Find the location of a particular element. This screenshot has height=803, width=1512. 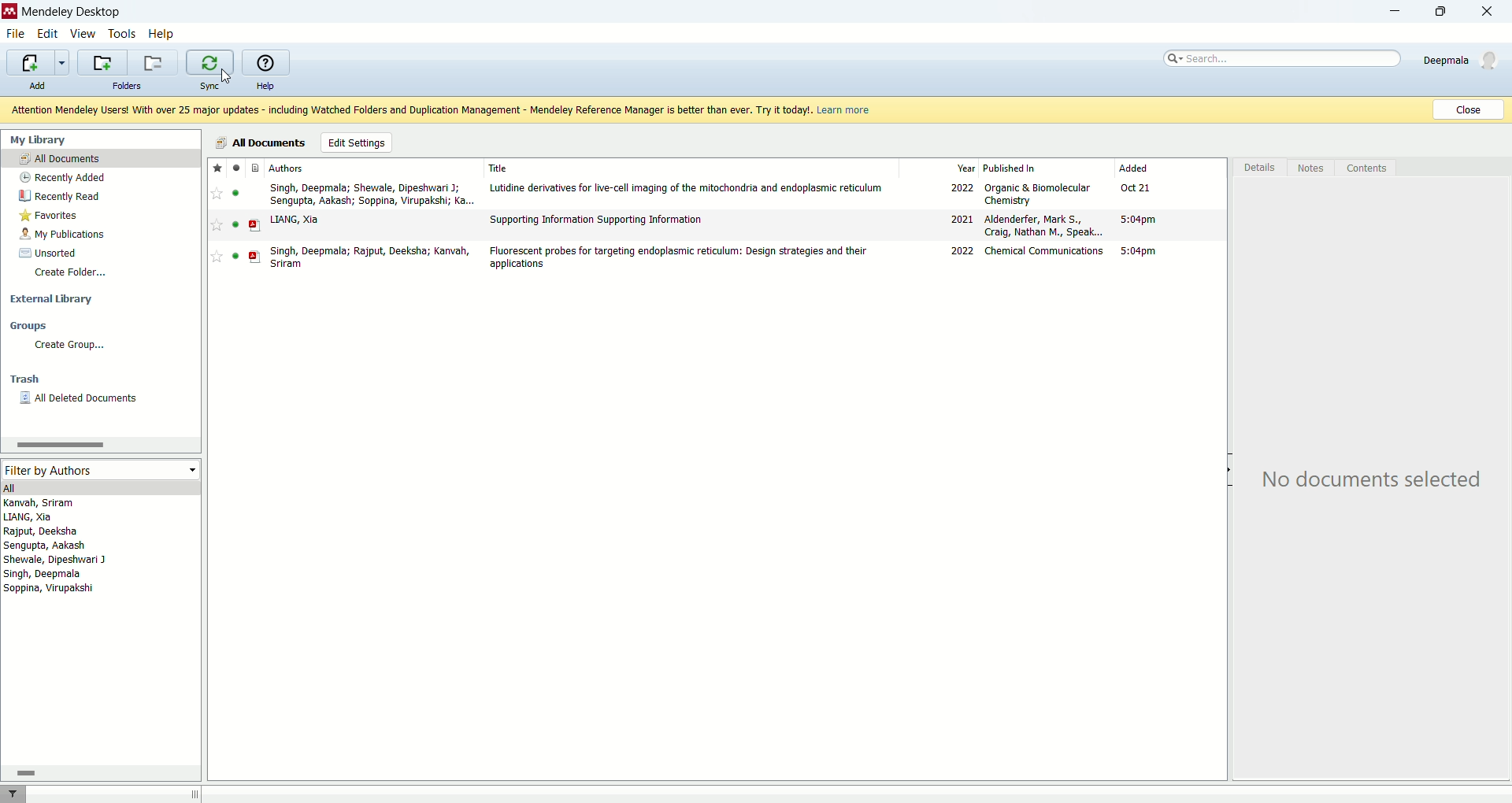

cursor is located at coordinates (225, 76).